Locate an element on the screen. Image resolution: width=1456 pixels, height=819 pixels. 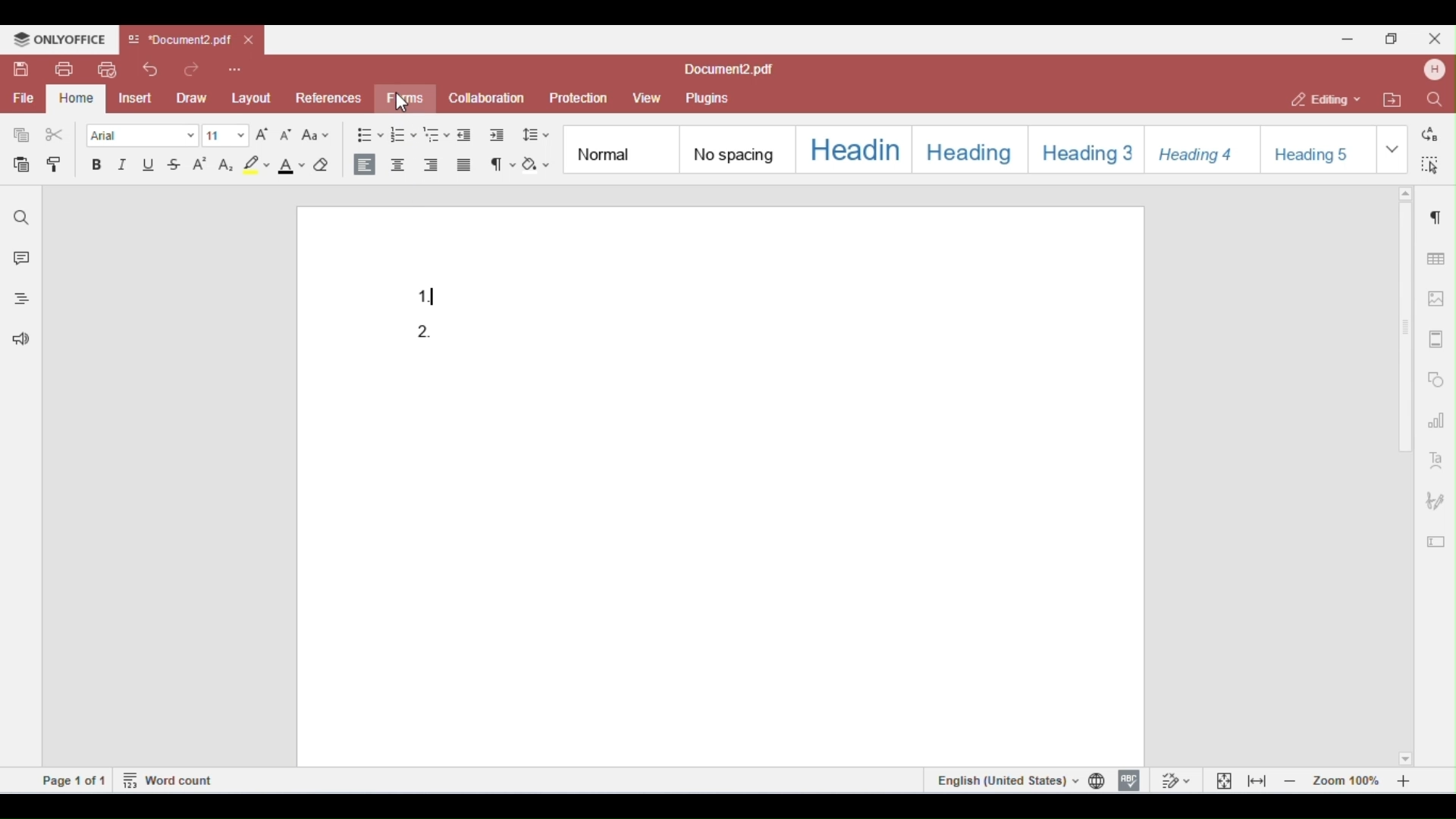
account is located at coordinates (1432, 70).